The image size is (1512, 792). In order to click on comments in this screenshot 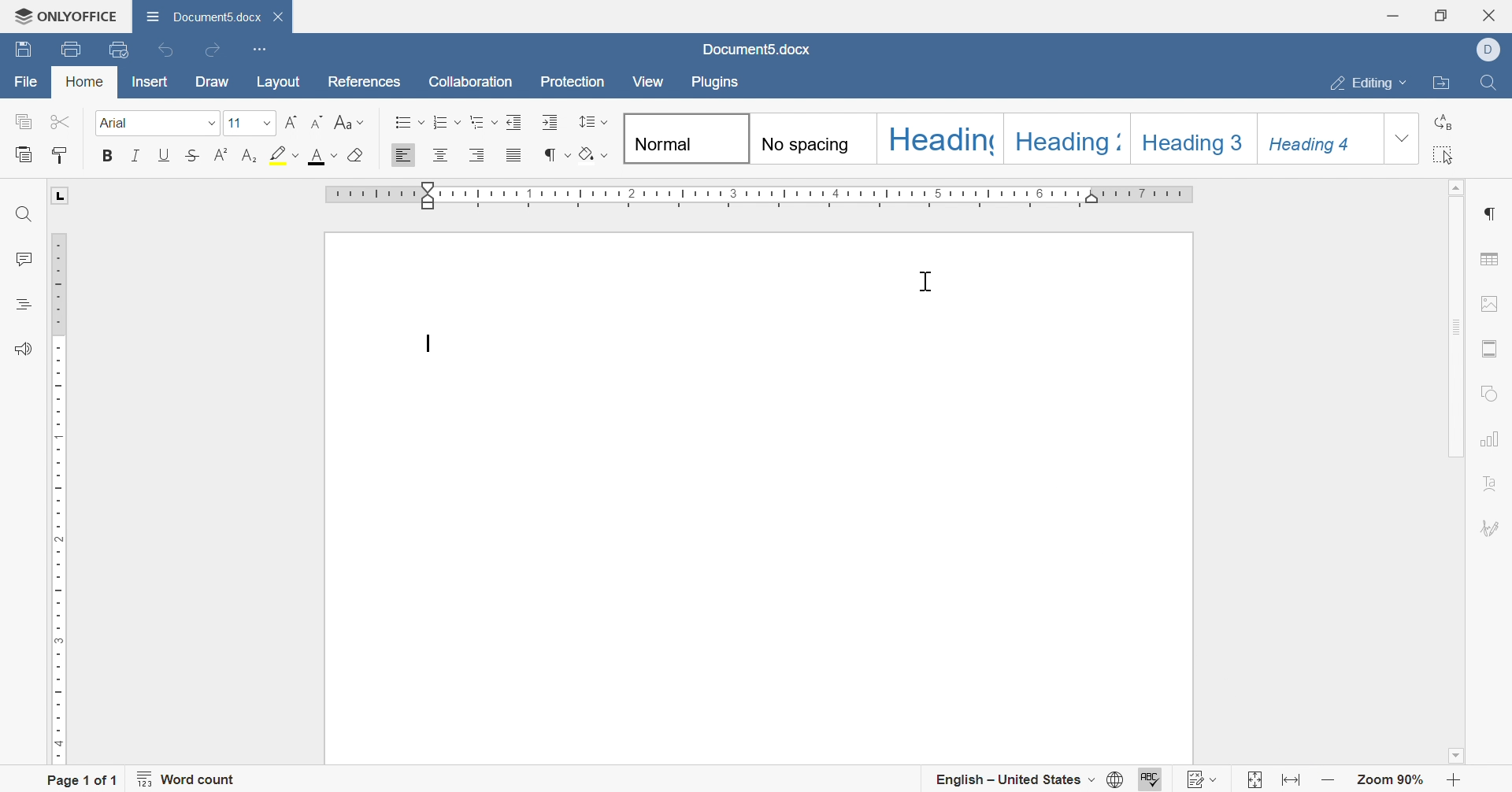, I will do `click(22, 261)`.